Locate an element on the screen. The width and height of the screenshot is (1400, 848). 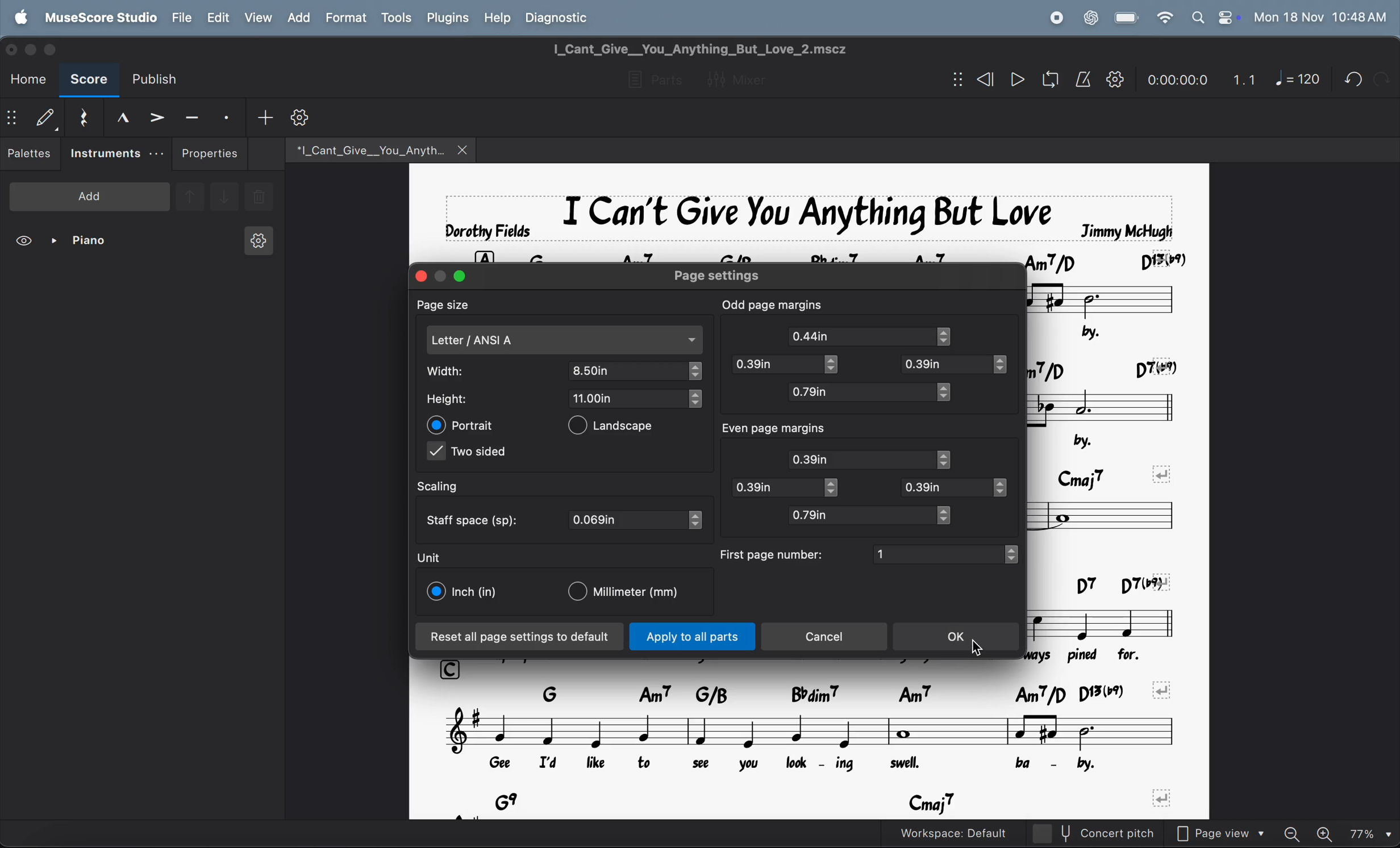
toggle is located at coordinates (952, 337).